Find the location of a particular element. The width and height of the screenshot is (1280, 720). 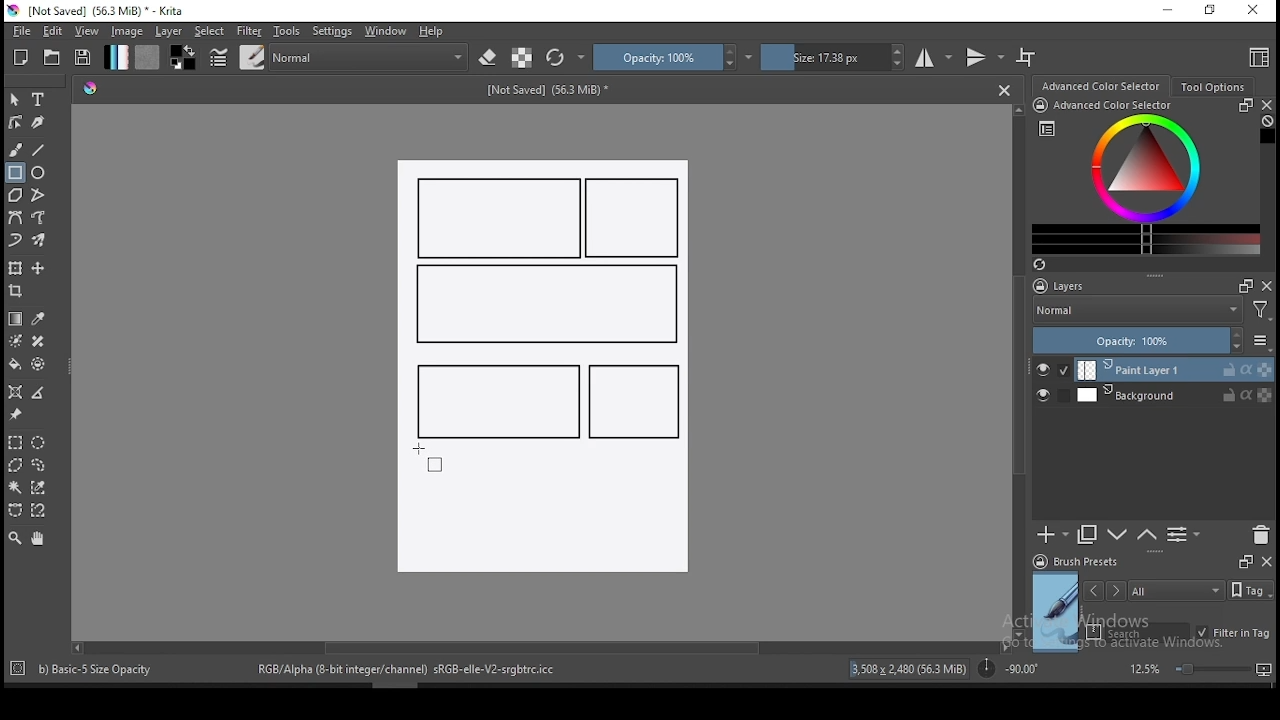

scroll bar is located at coordinates (1020, 370).